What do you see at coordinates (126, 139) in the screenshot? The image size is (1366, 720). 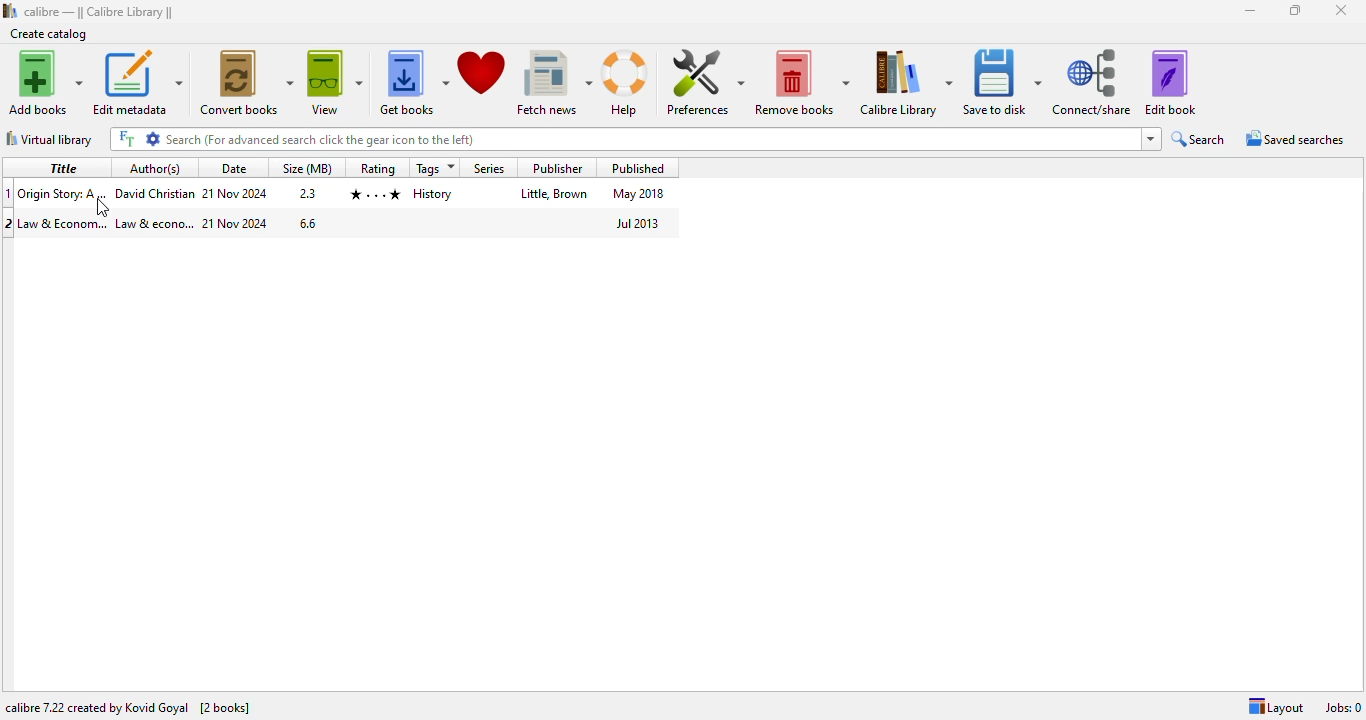 I see `FT` at bounding box center [126, 139].